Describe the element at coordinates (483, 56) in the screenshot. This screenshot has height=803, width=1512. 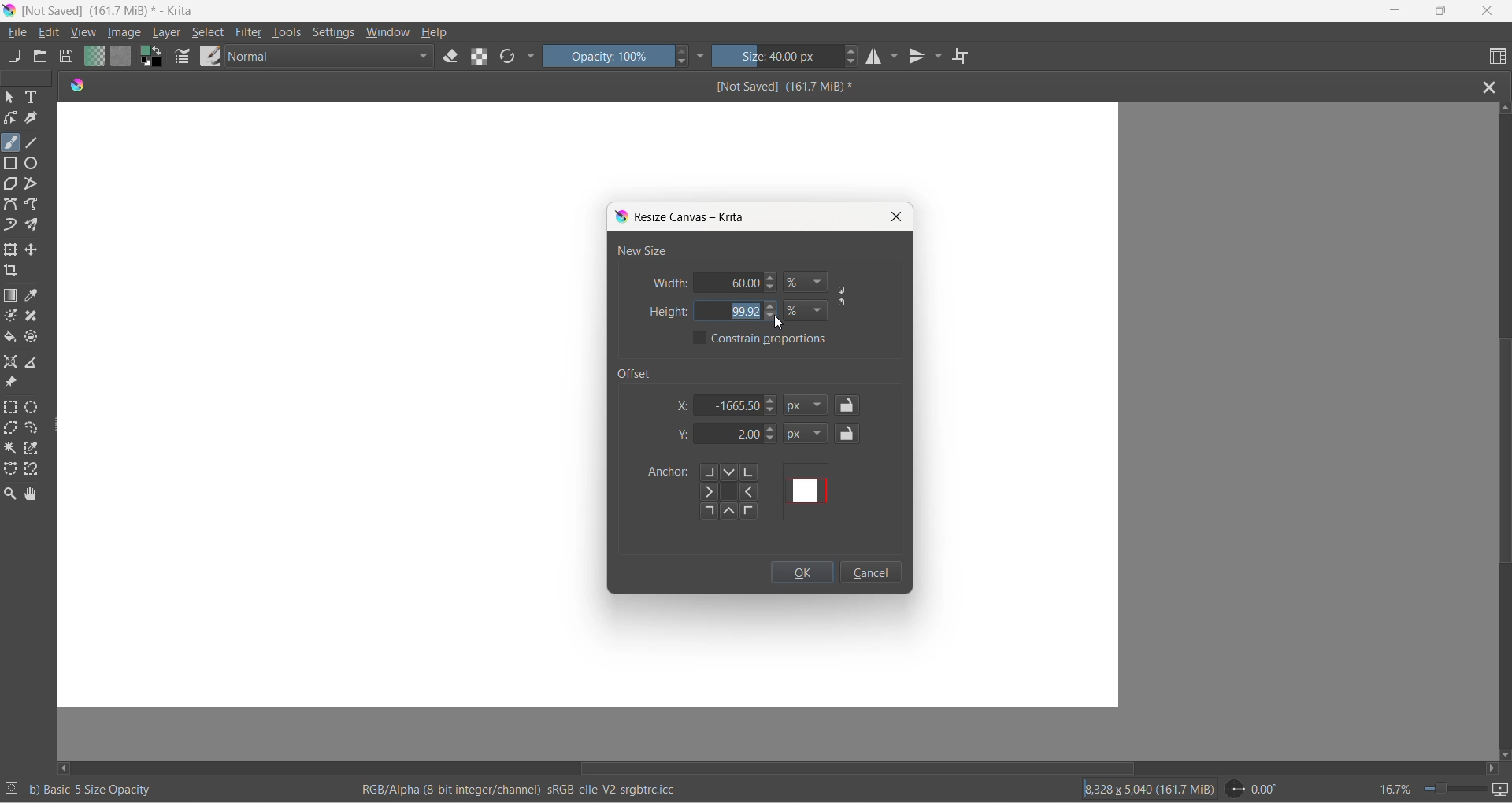
I see `preserve alpha` at that location.